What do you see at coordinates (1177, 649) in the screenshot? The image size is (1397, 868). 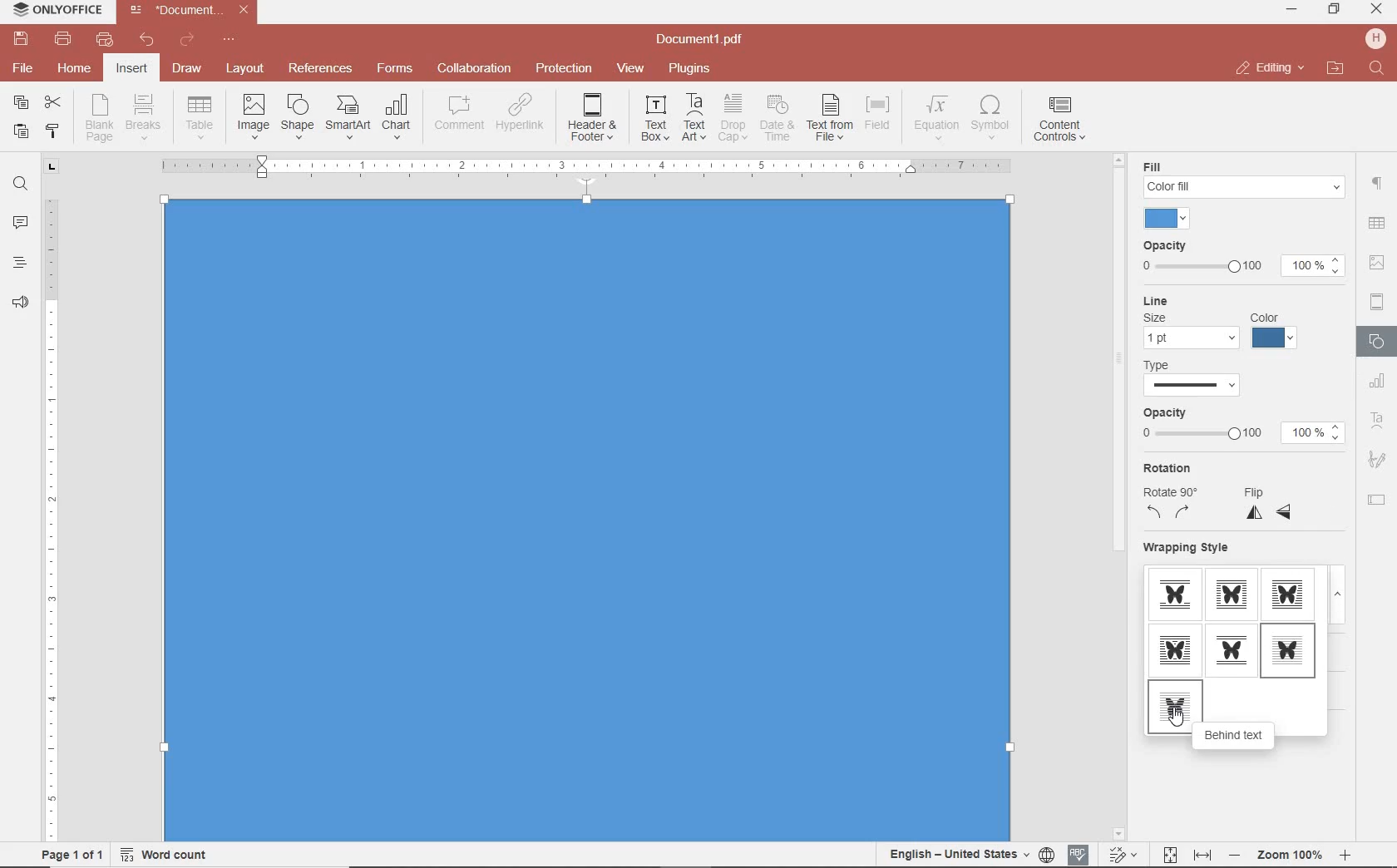 I see `THROUGH` at bounding box center [1177, 649].